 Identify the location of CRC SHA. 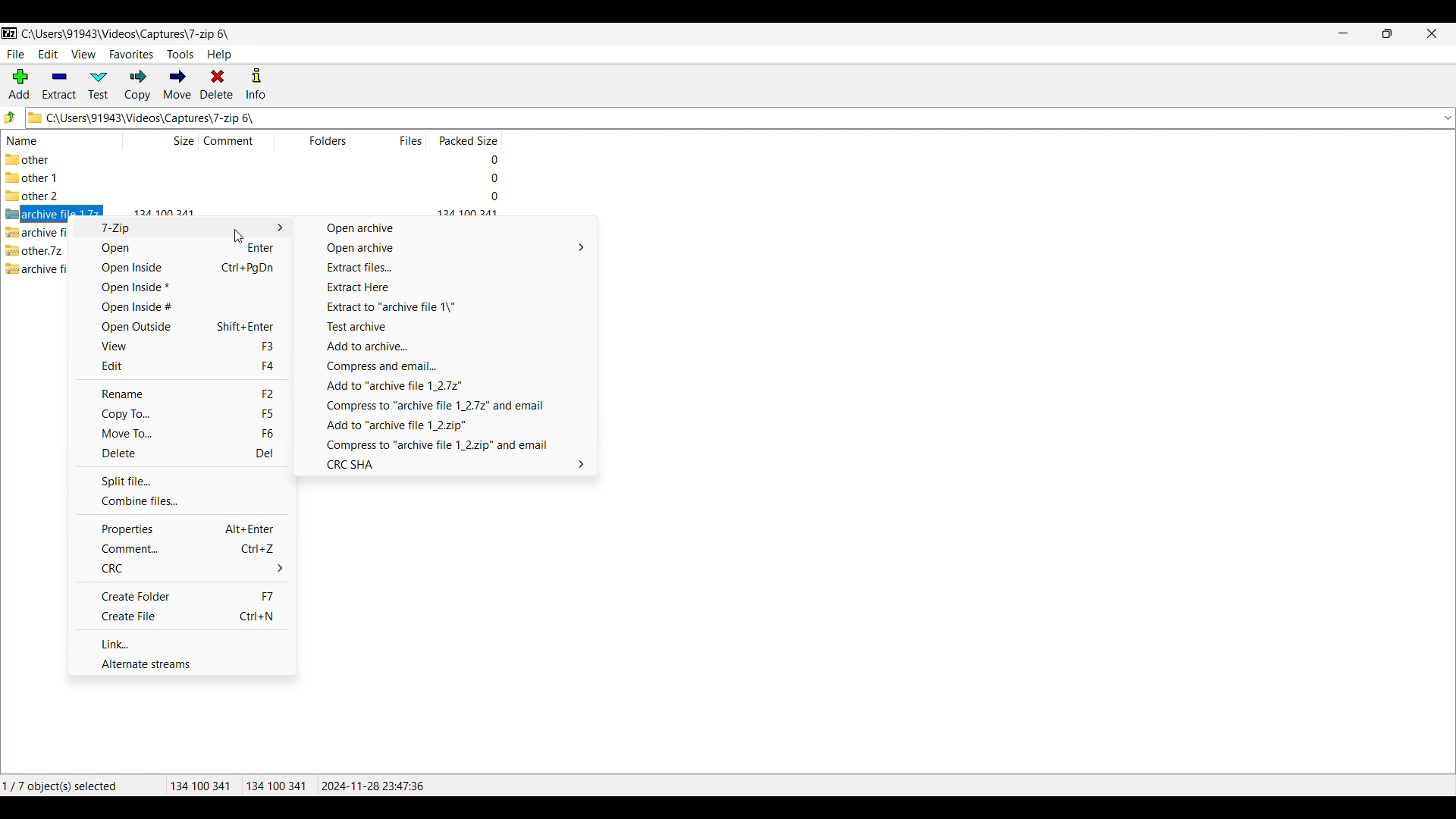
(450, 464).